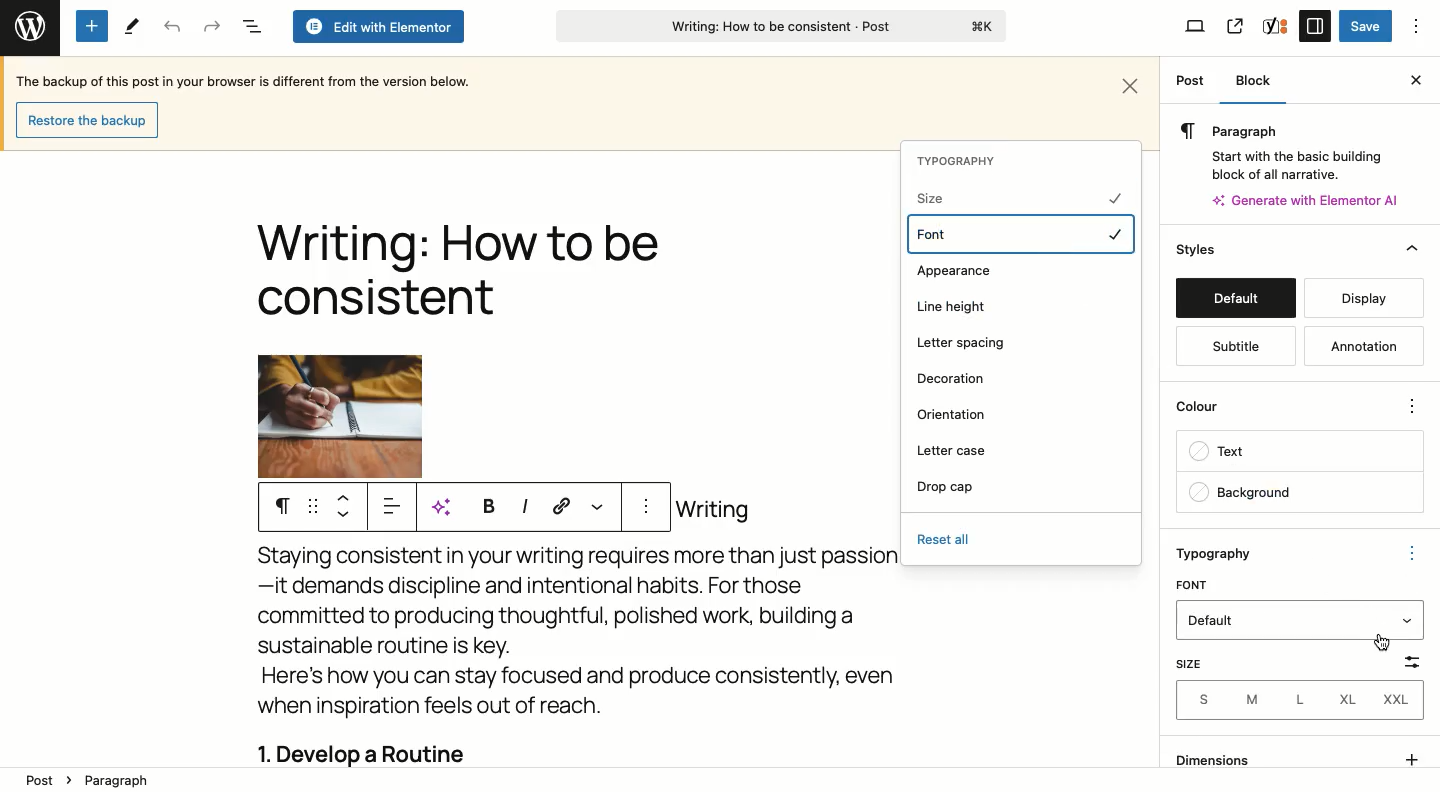  What do you see at coordinates (946, 487) in the screenshot?
I see `Drop cap` at bounding box center [946, 487].